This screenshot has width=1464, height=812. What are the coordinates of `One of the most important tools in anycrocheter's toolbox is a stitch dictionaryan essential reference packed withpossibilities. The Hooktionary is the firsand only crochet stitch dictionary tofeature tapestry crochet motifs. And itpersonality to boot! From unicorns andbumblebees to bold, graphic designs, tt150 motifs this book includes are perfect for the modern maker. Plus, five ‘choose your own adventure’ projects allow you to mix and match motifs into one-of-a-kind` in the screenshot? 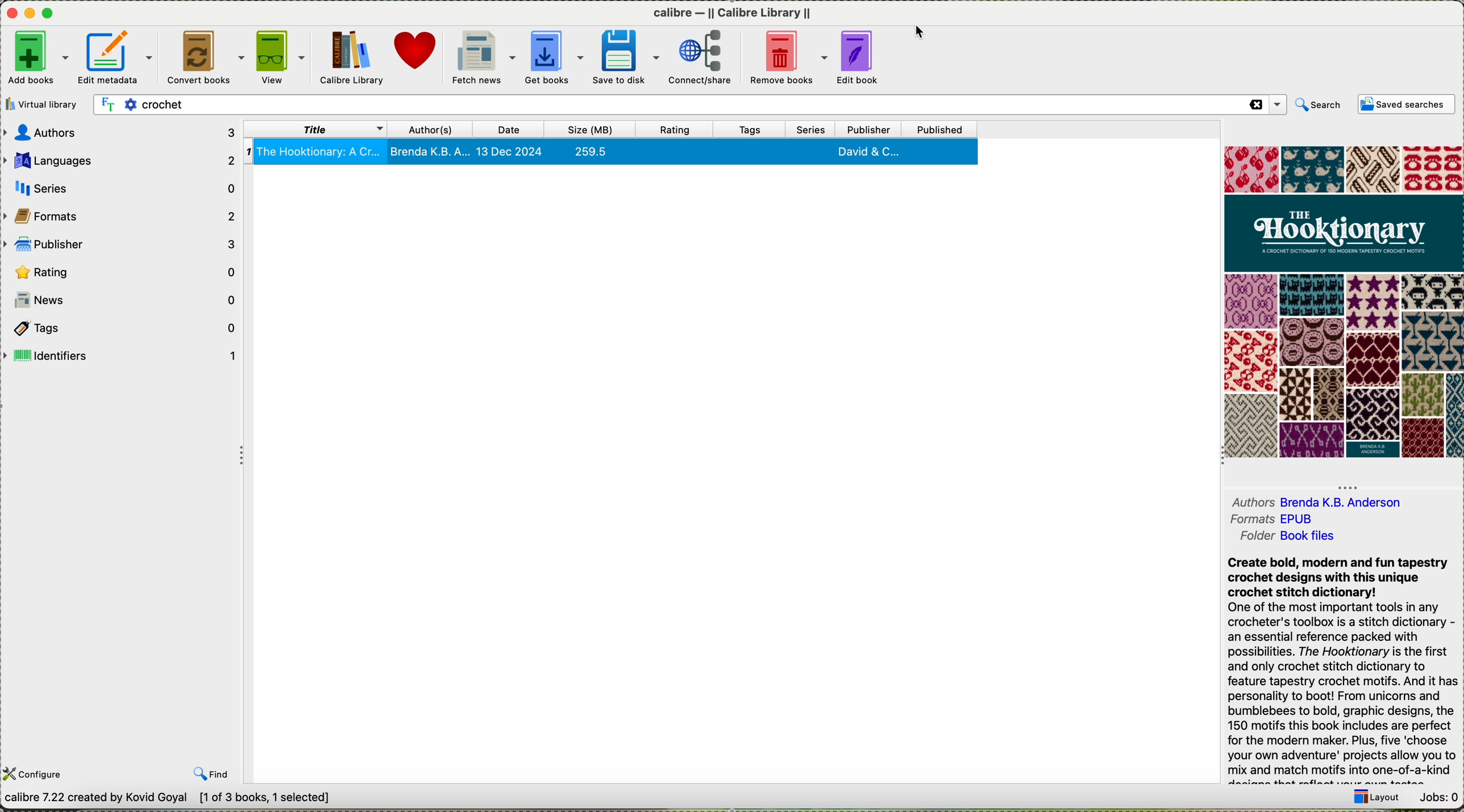 It's located at (1342, 690).